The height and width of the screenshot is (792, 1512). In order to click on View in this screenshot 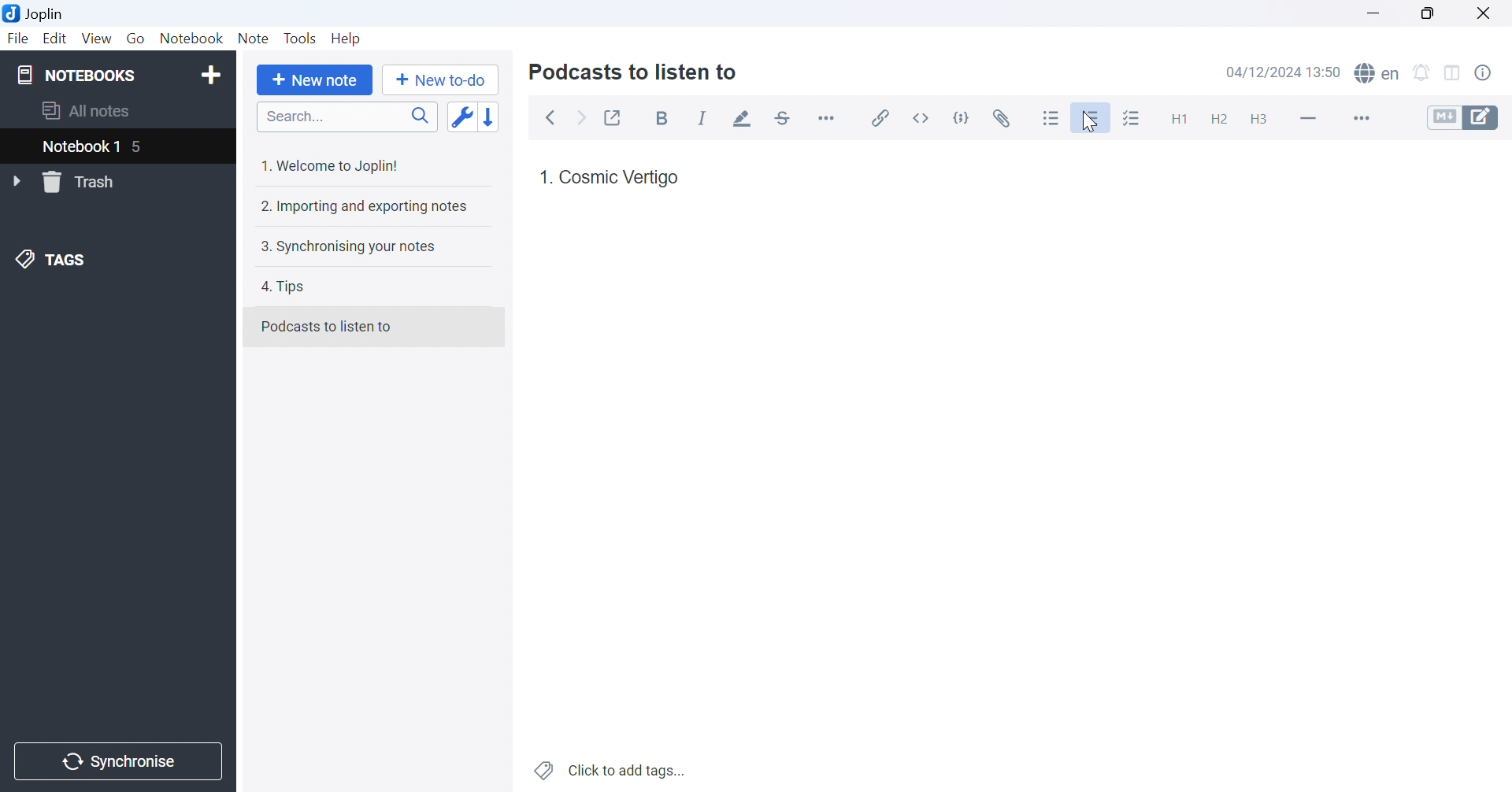, I will do `click(97, 37)`.